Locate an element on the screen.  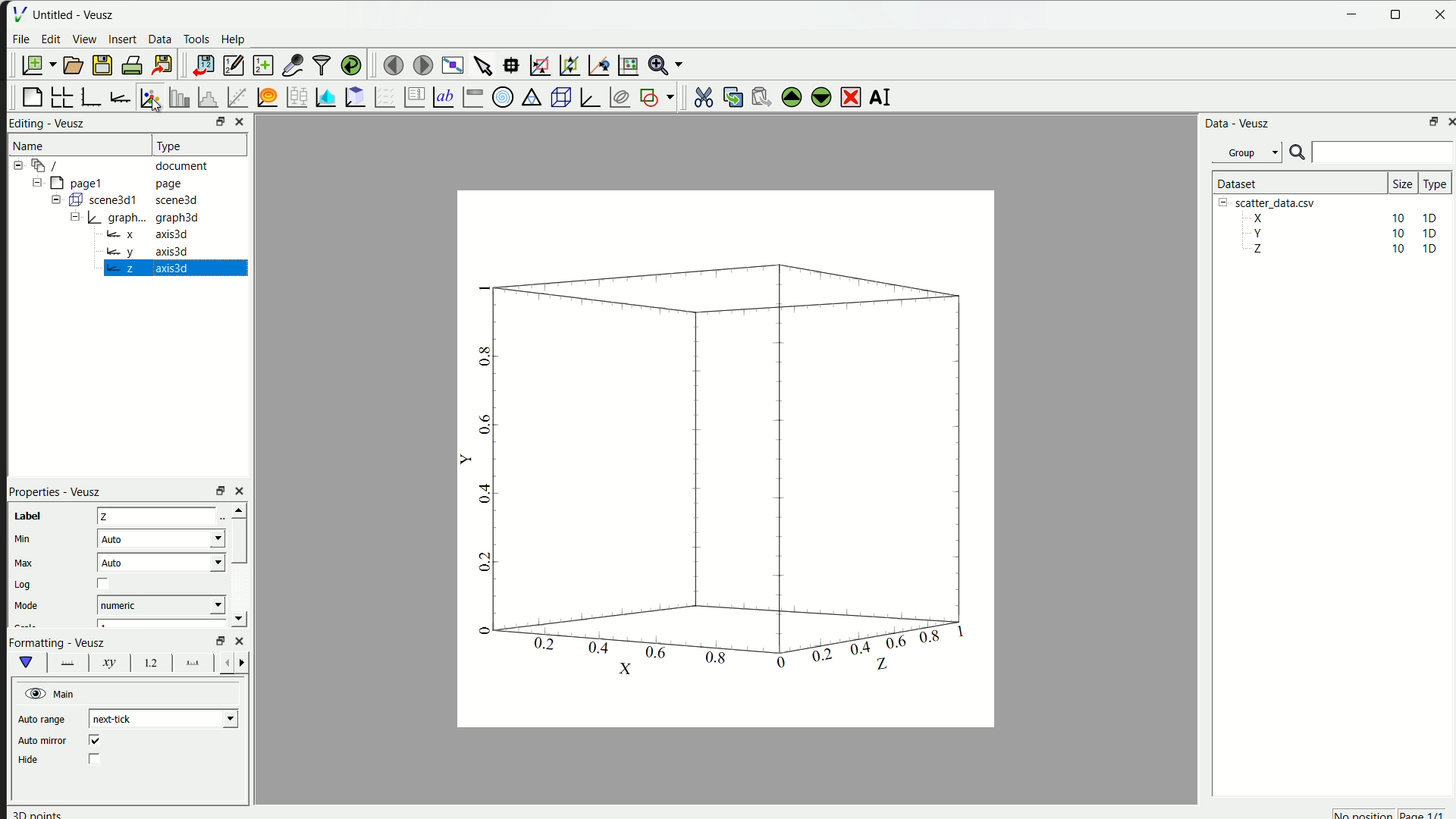
cut the selected widget is located at coordinates (701, 96).